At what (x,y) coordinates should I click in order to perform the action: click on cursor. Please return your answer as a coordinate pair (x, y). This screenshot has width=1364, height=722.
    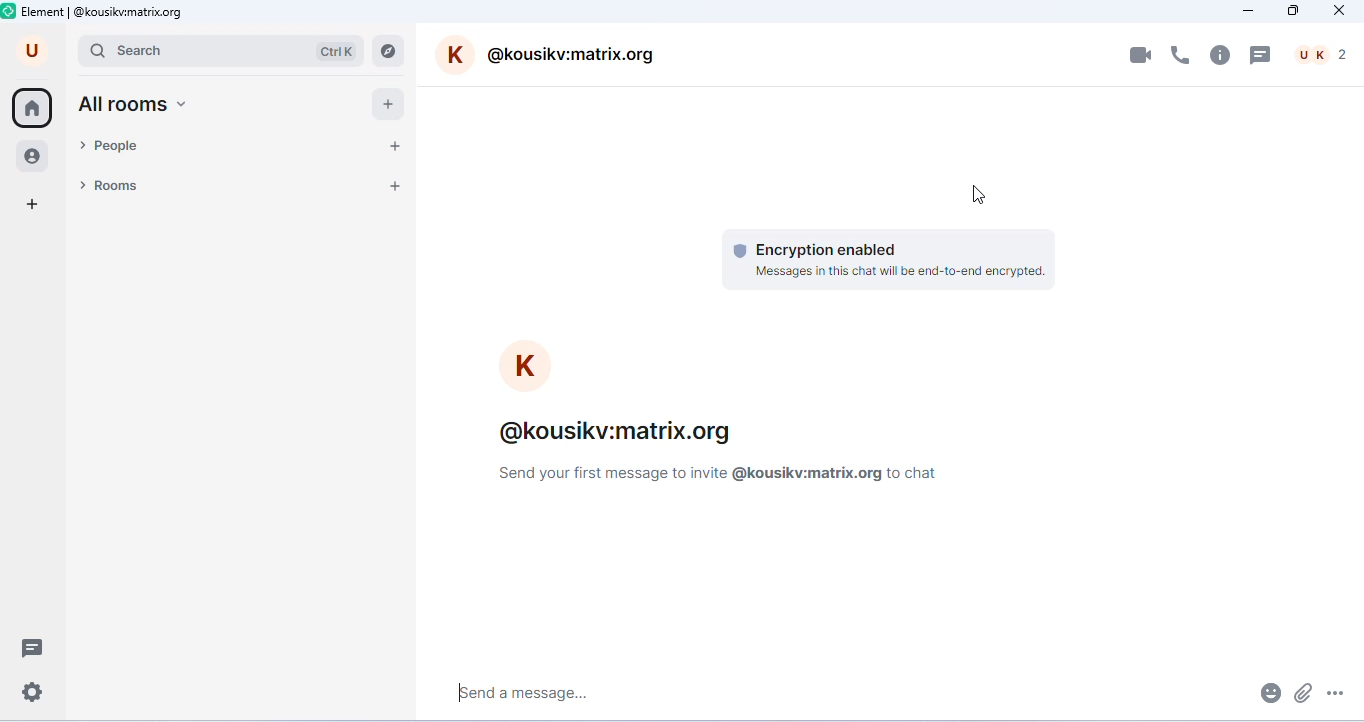
    Looking at the image, I should click on (980, 194).